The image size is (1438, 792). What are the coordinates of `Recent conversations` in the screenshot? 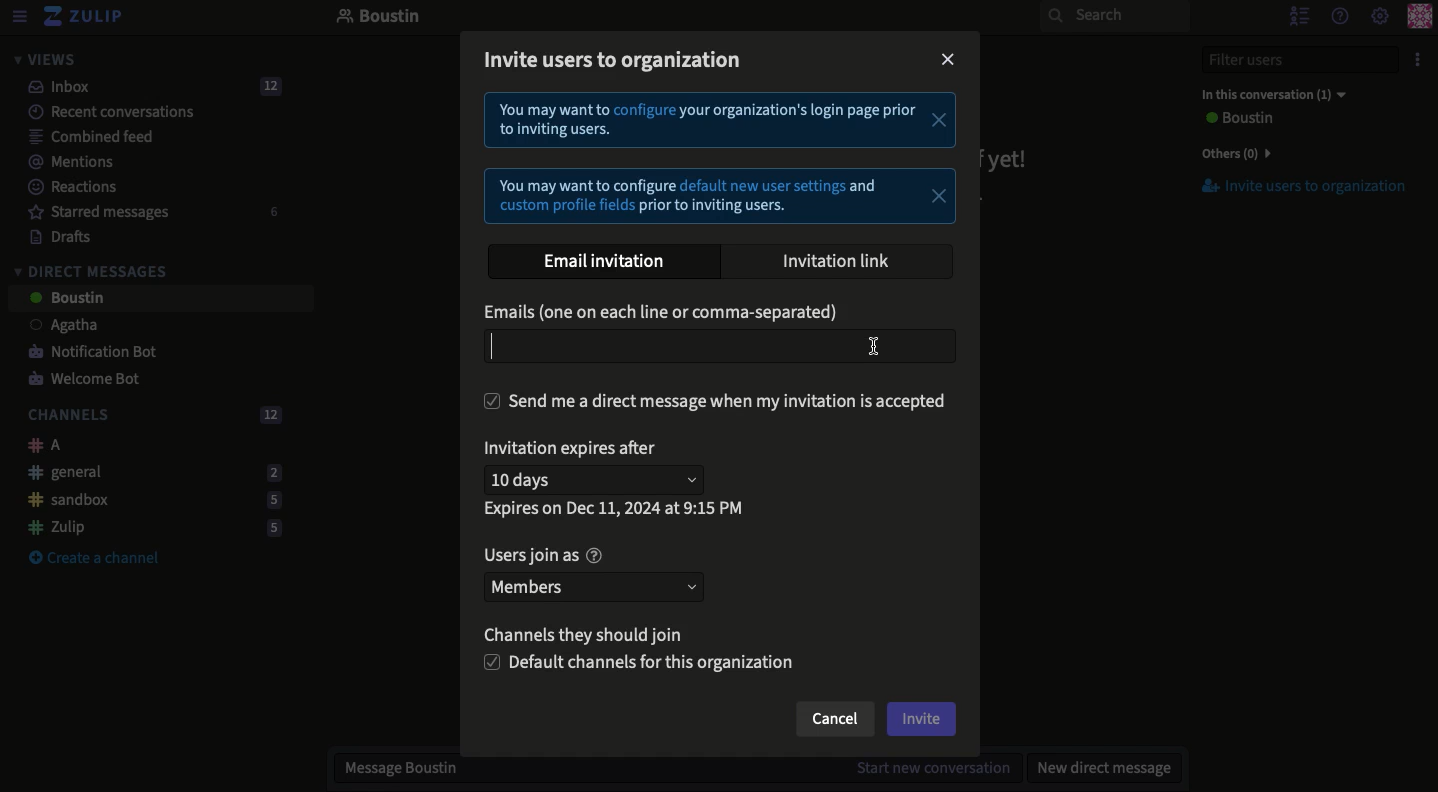 It's located at (99, 111).